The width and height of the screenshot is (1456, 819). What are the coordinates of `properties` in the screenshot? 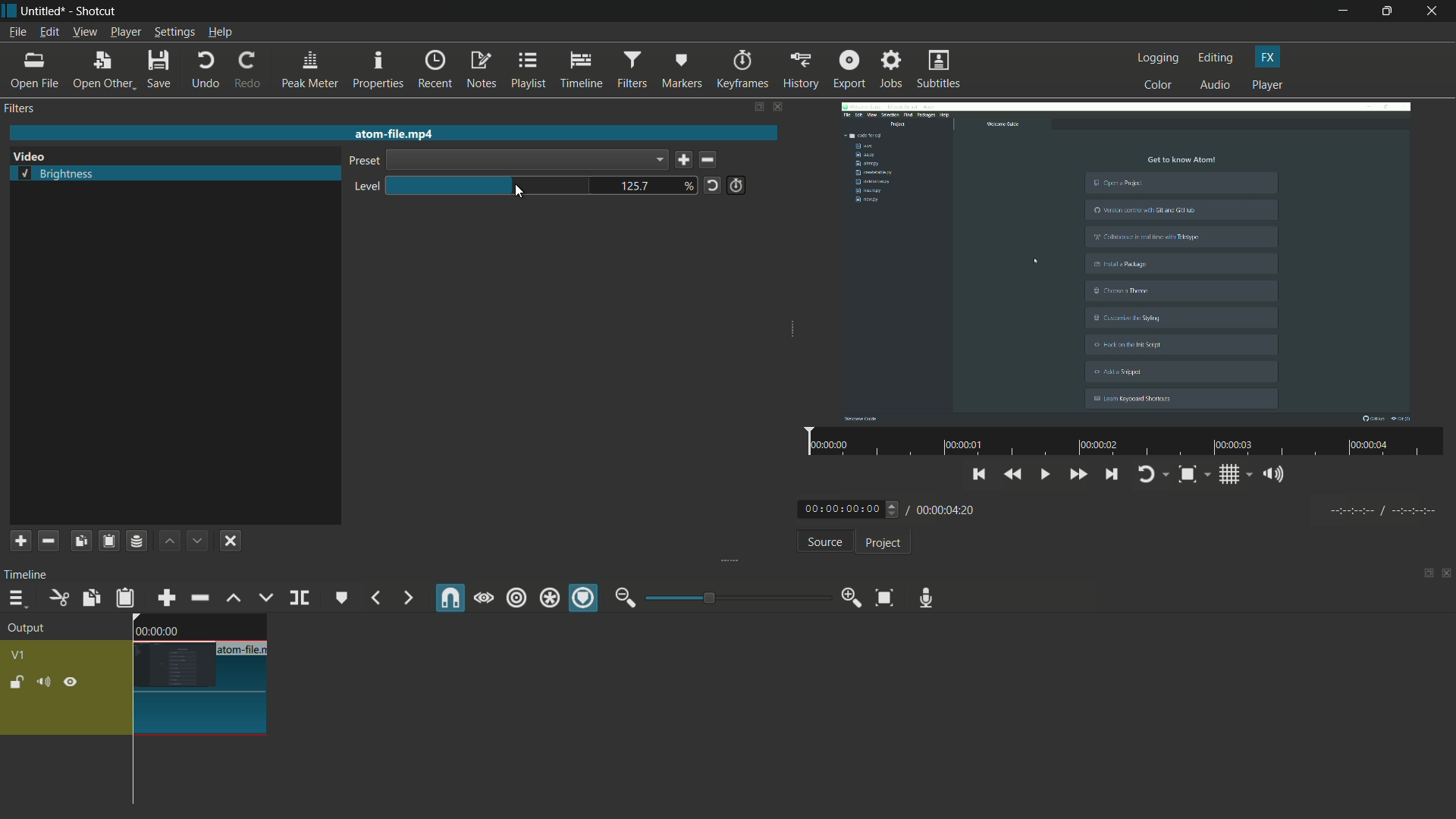 It's located at (378, 71).